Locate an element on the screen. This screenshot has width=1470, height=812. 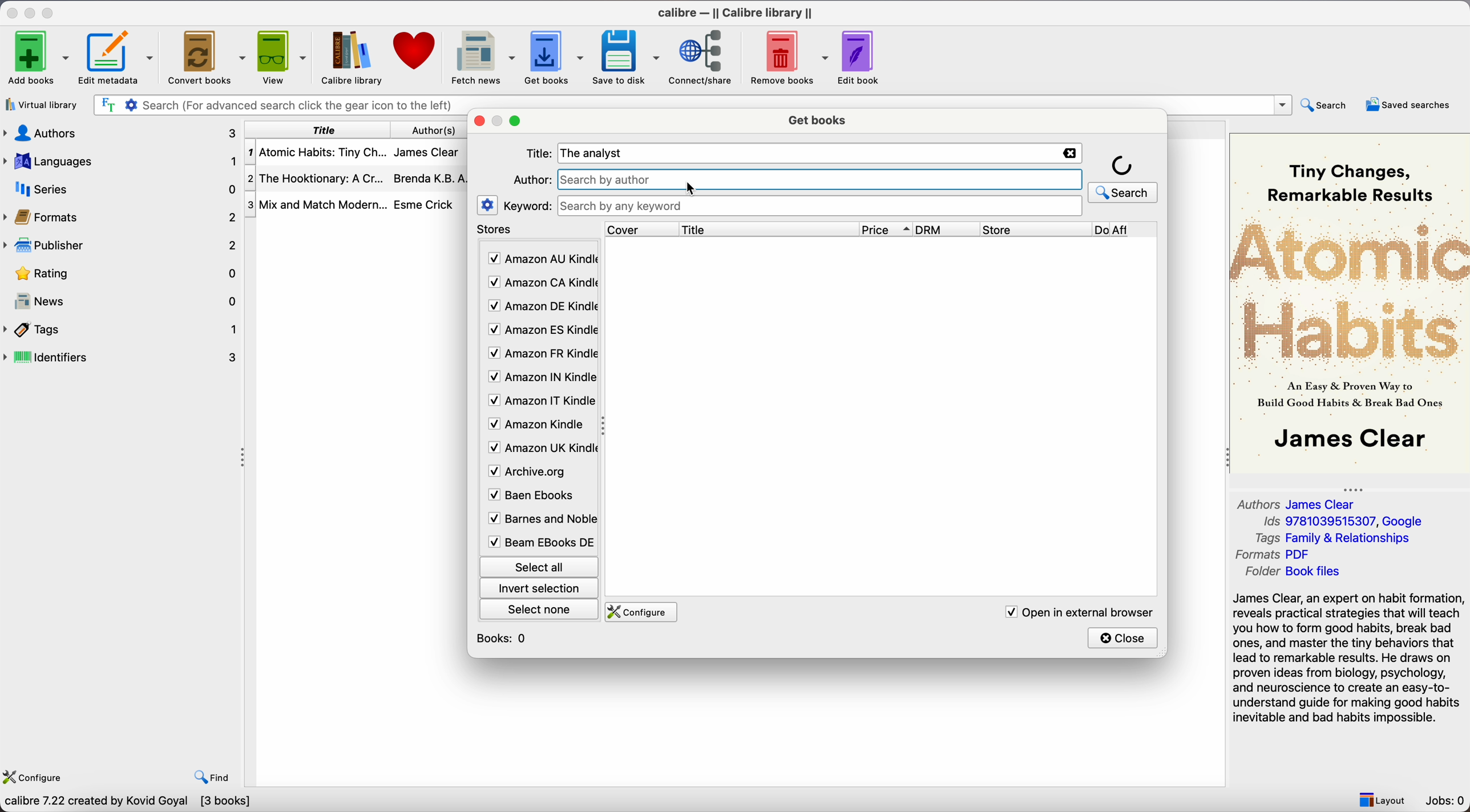
rating is located at coordinates (123, 273).